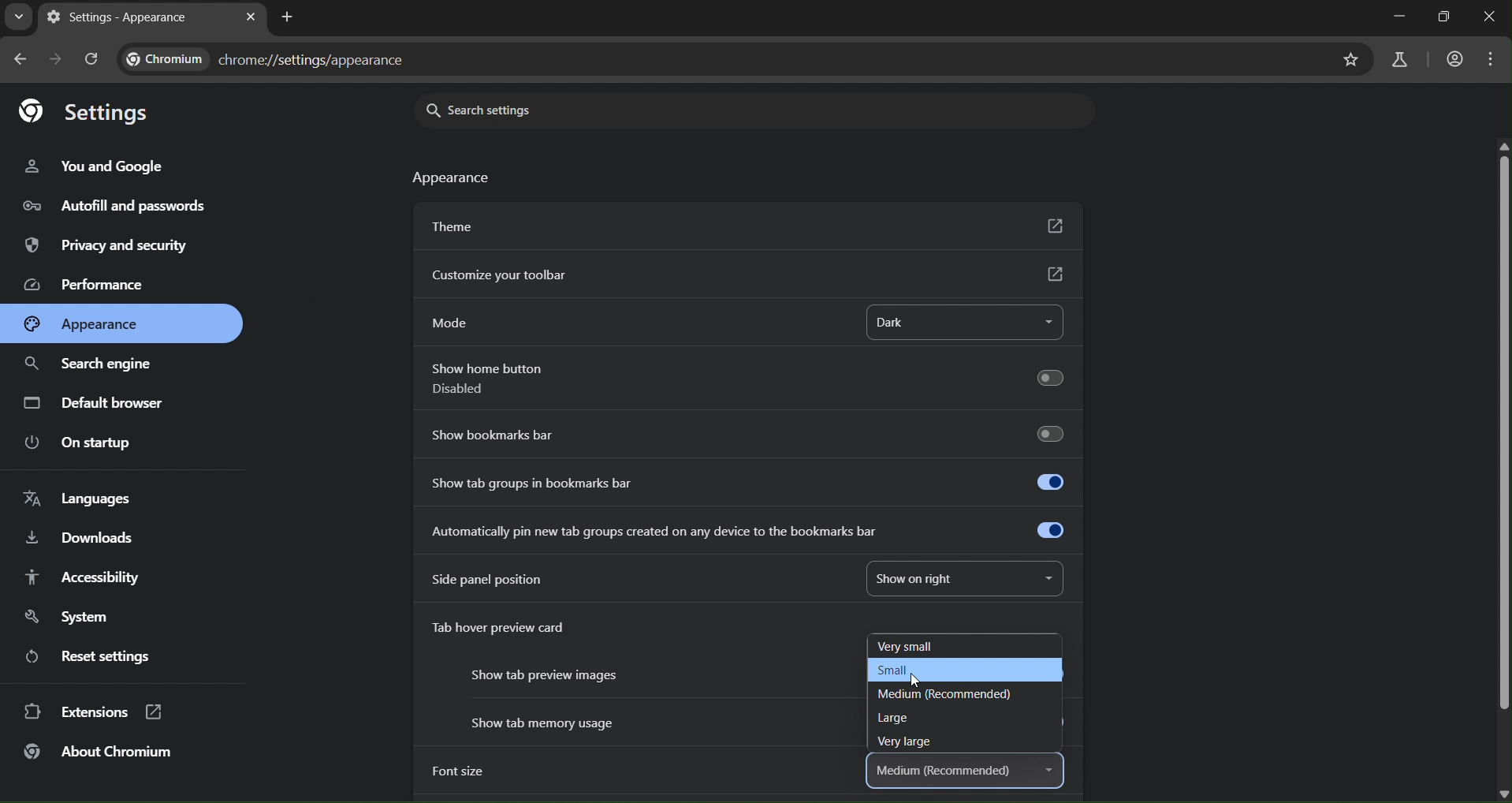  What do you see at coordinates (94, 110) in the screenshot?
I see `settings` at bounding box center [94, 110].